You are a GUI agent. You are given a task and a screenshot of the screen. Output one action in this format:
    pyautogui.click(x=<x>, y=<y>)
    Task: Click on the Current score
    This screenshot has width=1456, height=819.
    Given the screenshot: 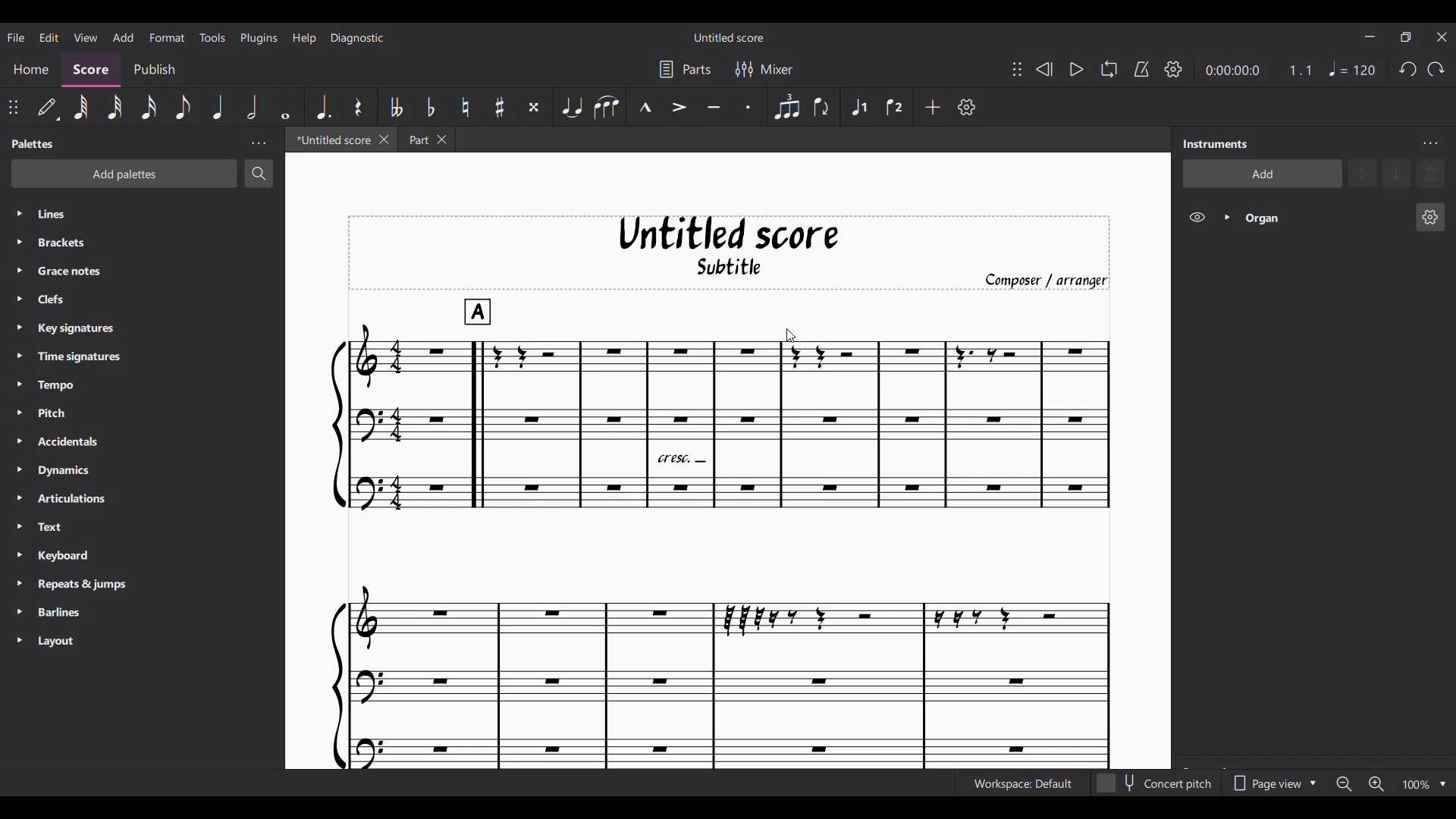 What is the action you would take?
    pyautogui.click(x=720, y=533)
    